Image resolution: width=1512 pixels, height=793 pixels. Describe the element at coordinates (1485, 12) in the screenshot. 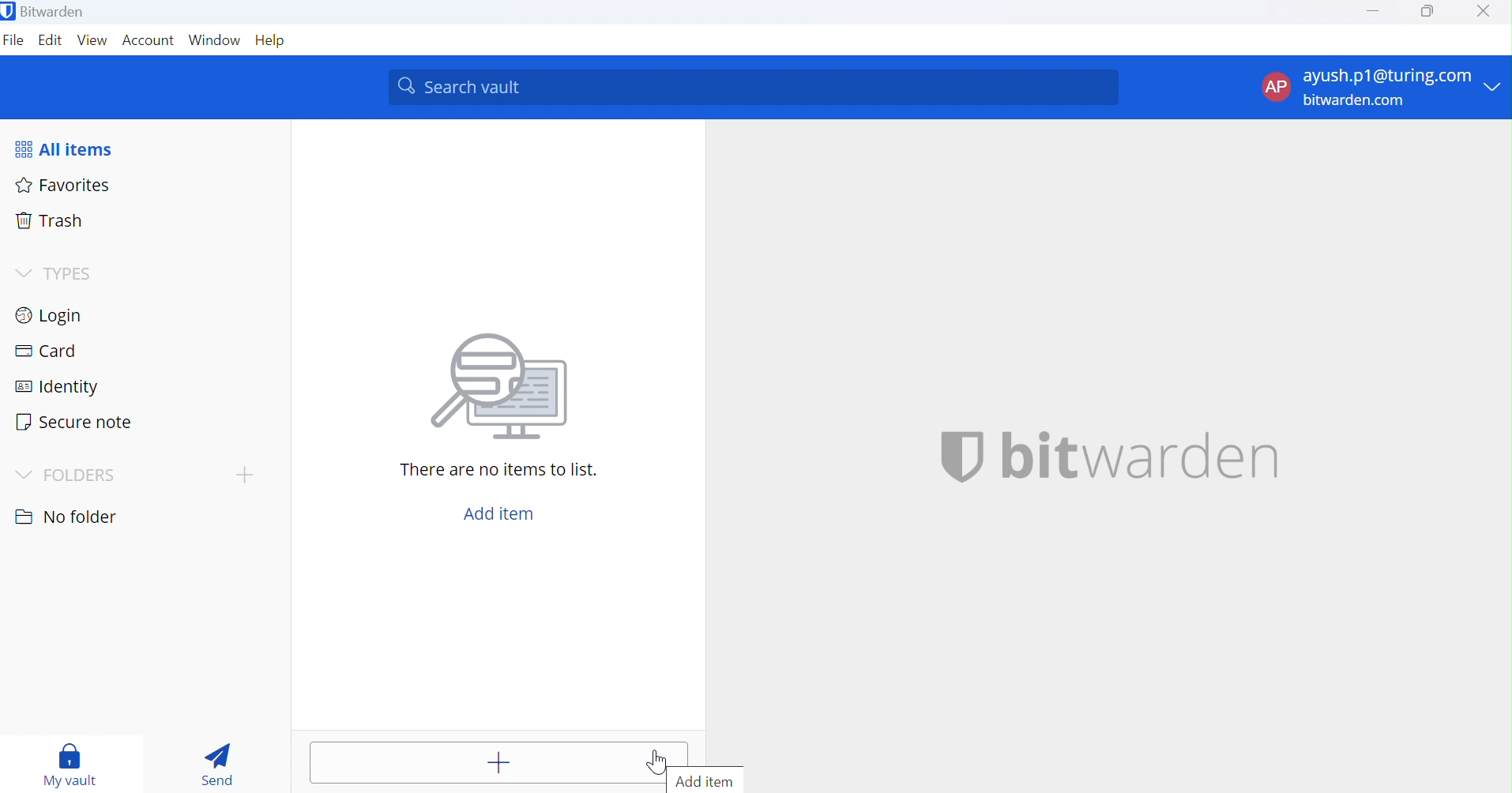

I see `Close` at that location.